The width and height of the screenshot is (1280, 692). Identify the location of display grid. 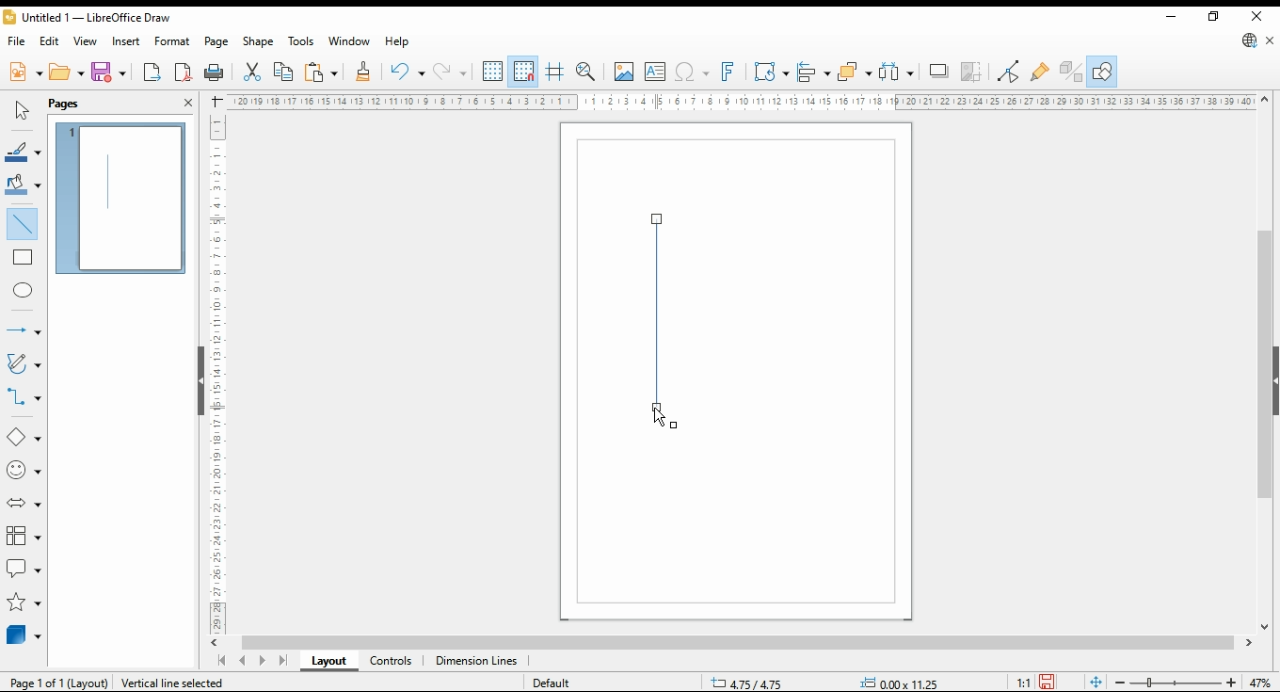
(493, 70).